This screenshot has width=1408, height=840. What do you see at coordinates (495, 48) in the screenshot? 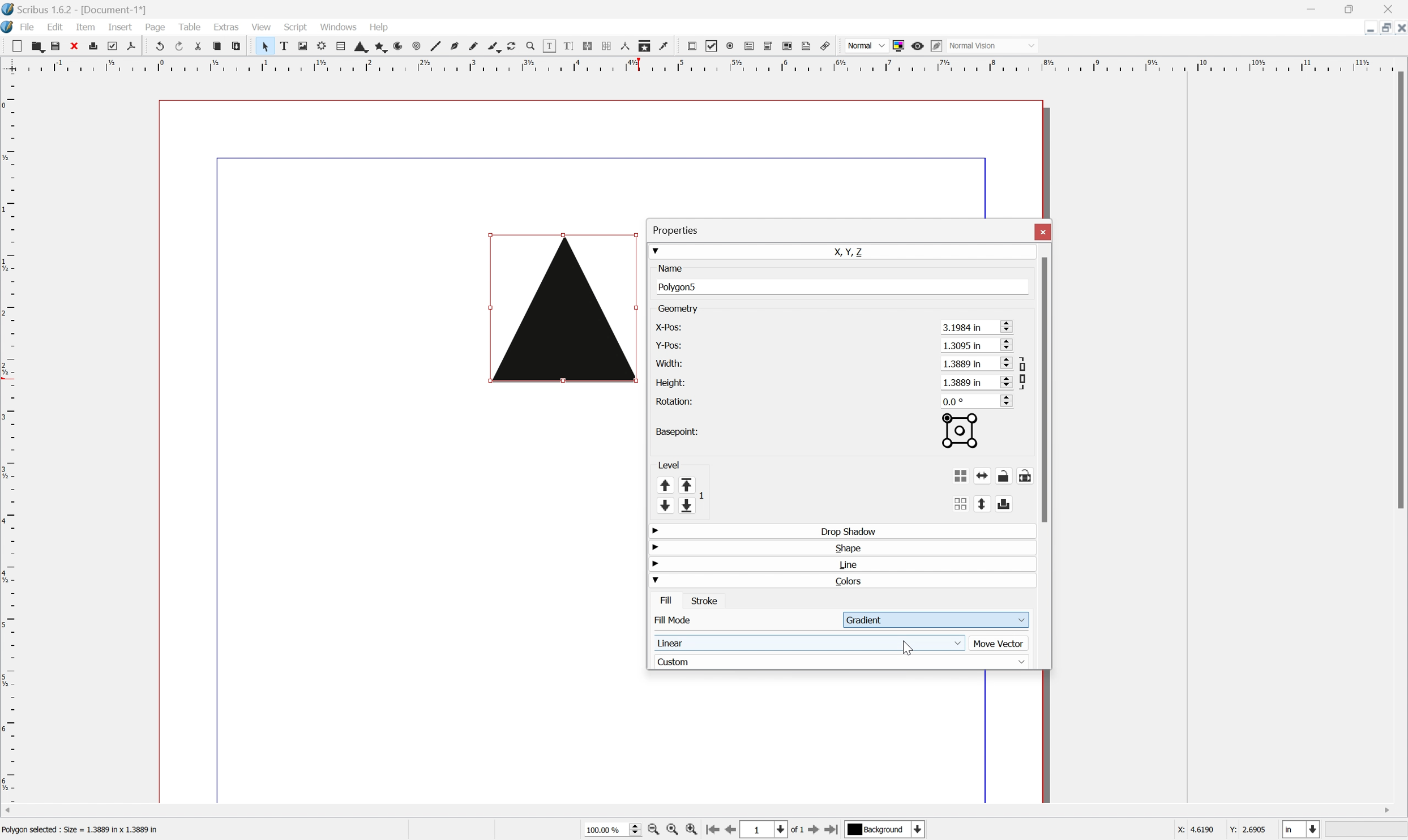
I see `Calligraphic lines` at bounding box center [495, 48].